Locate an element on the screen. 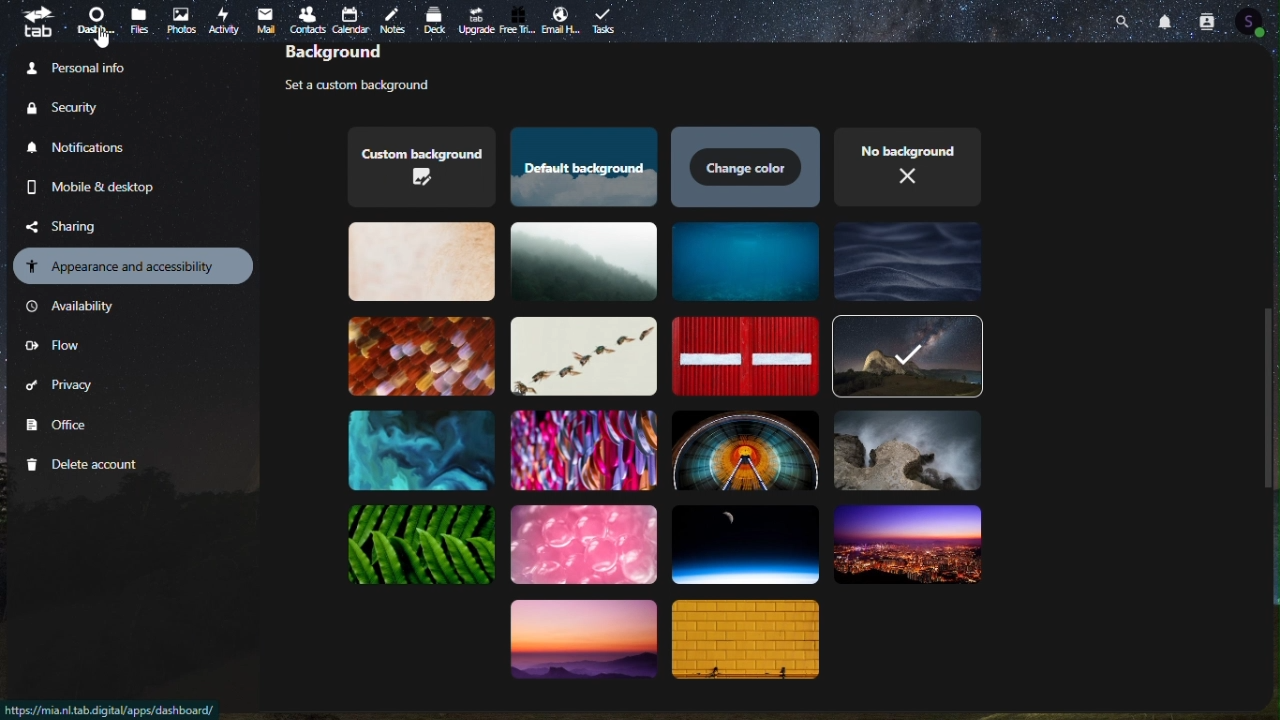  Calendar is located at coordinates (352, 20).